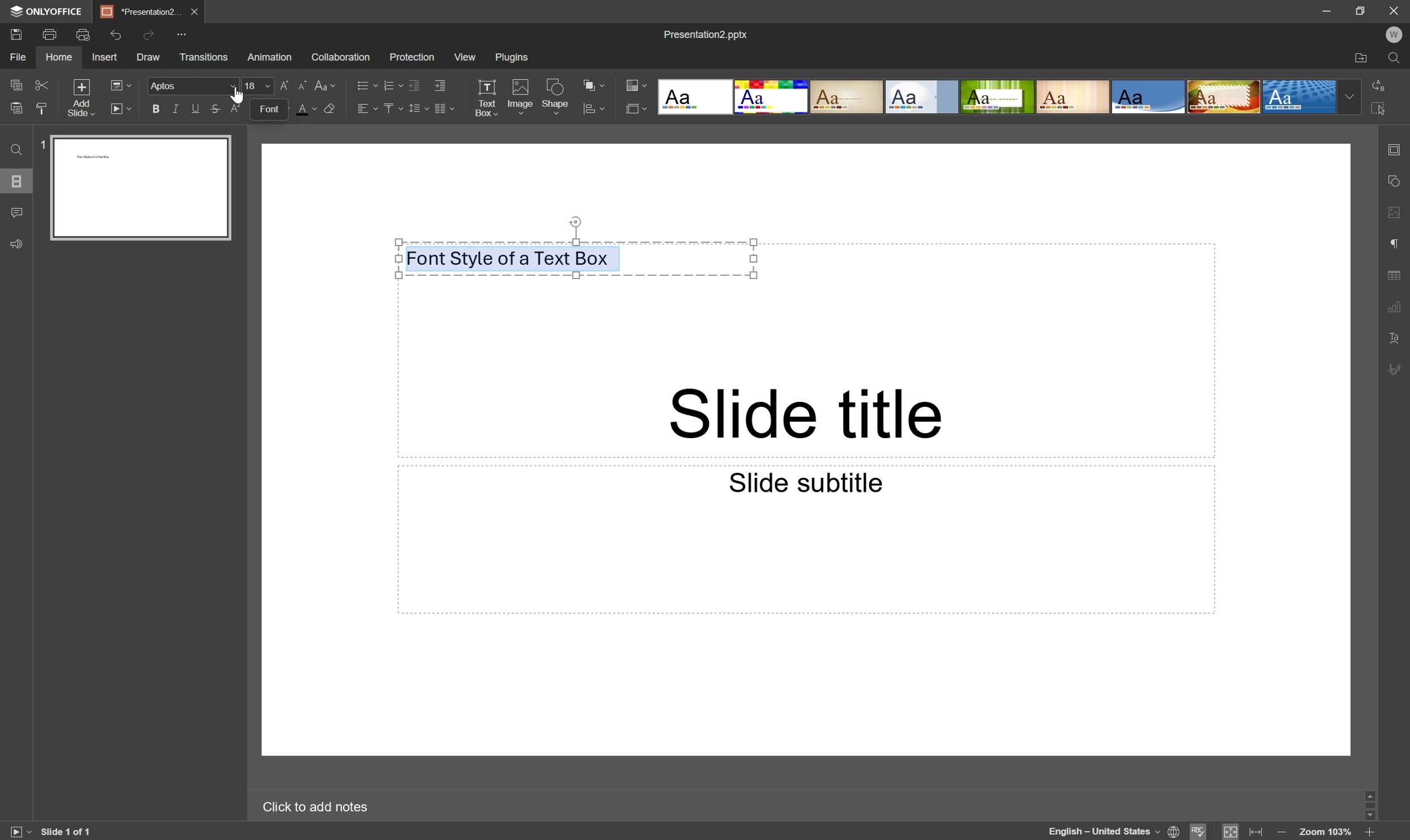 The height and width of the screenshot is (840, 1410). I want to click on Text Art settings, so click(1397, 342).